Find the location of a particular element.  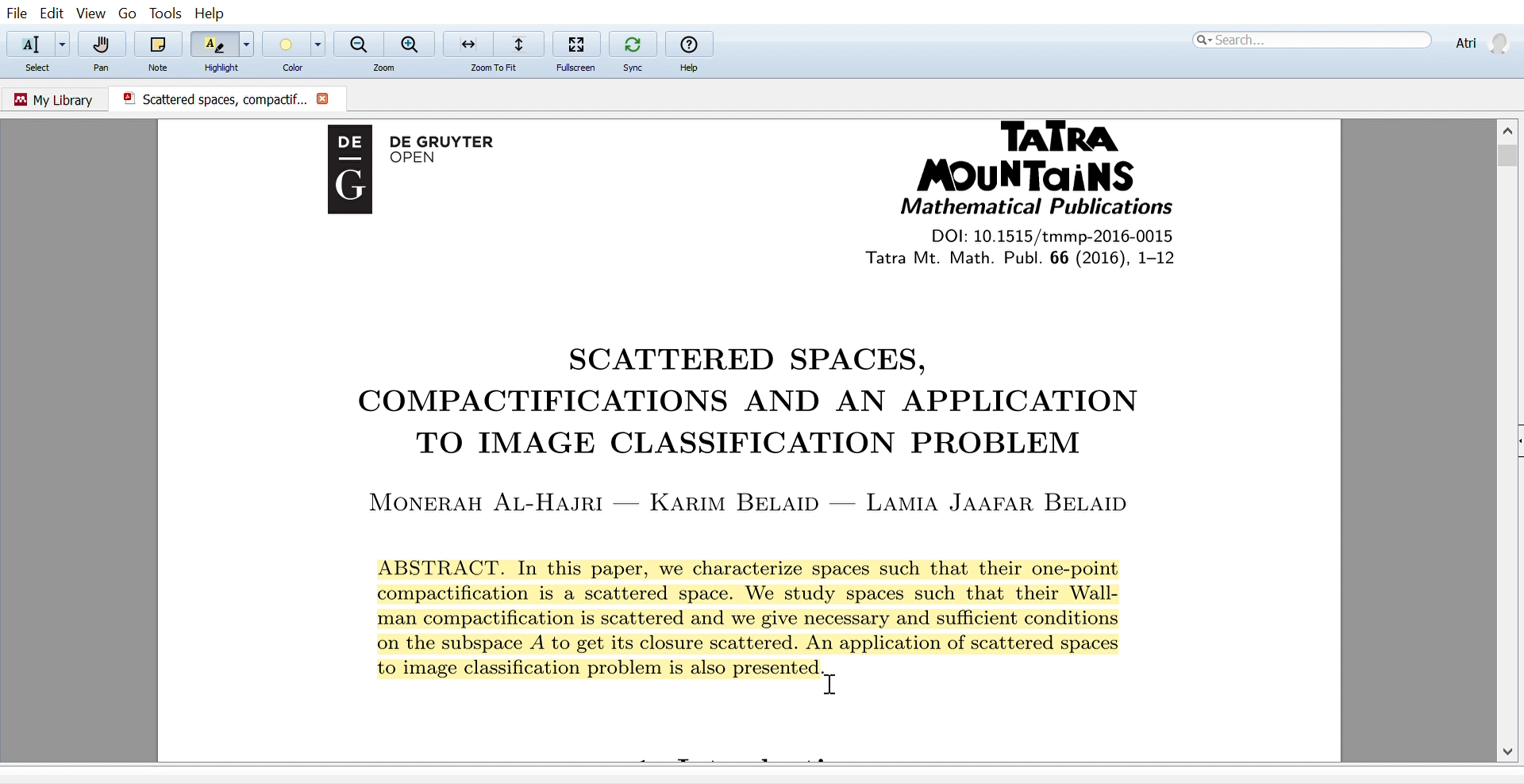

help is located at coordinates (689, 44).